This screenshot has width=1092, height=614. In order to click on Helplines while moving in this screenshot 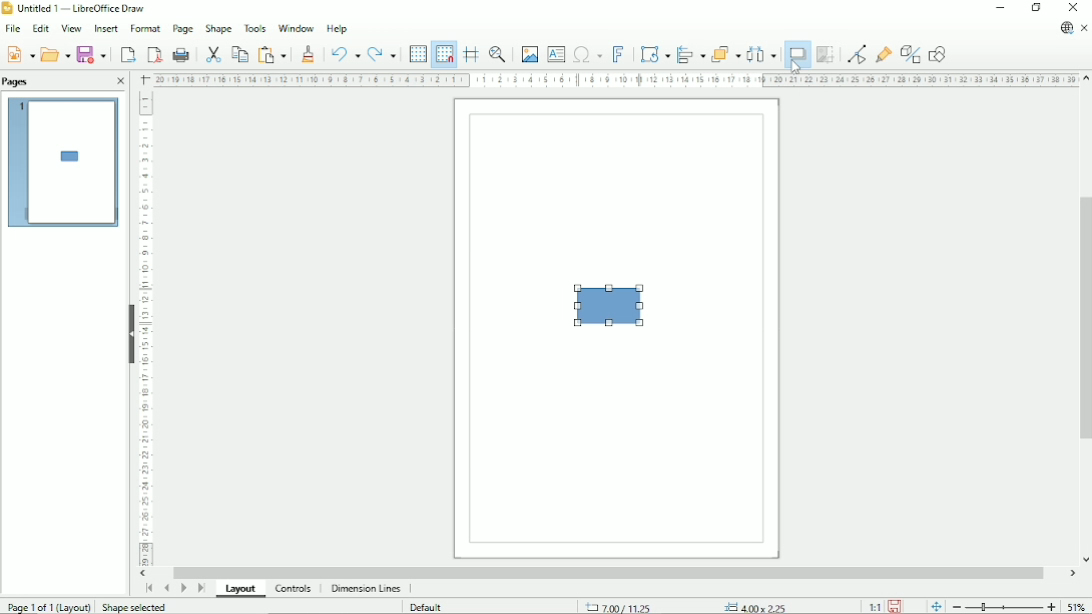, I will do `click(472, 53)`.